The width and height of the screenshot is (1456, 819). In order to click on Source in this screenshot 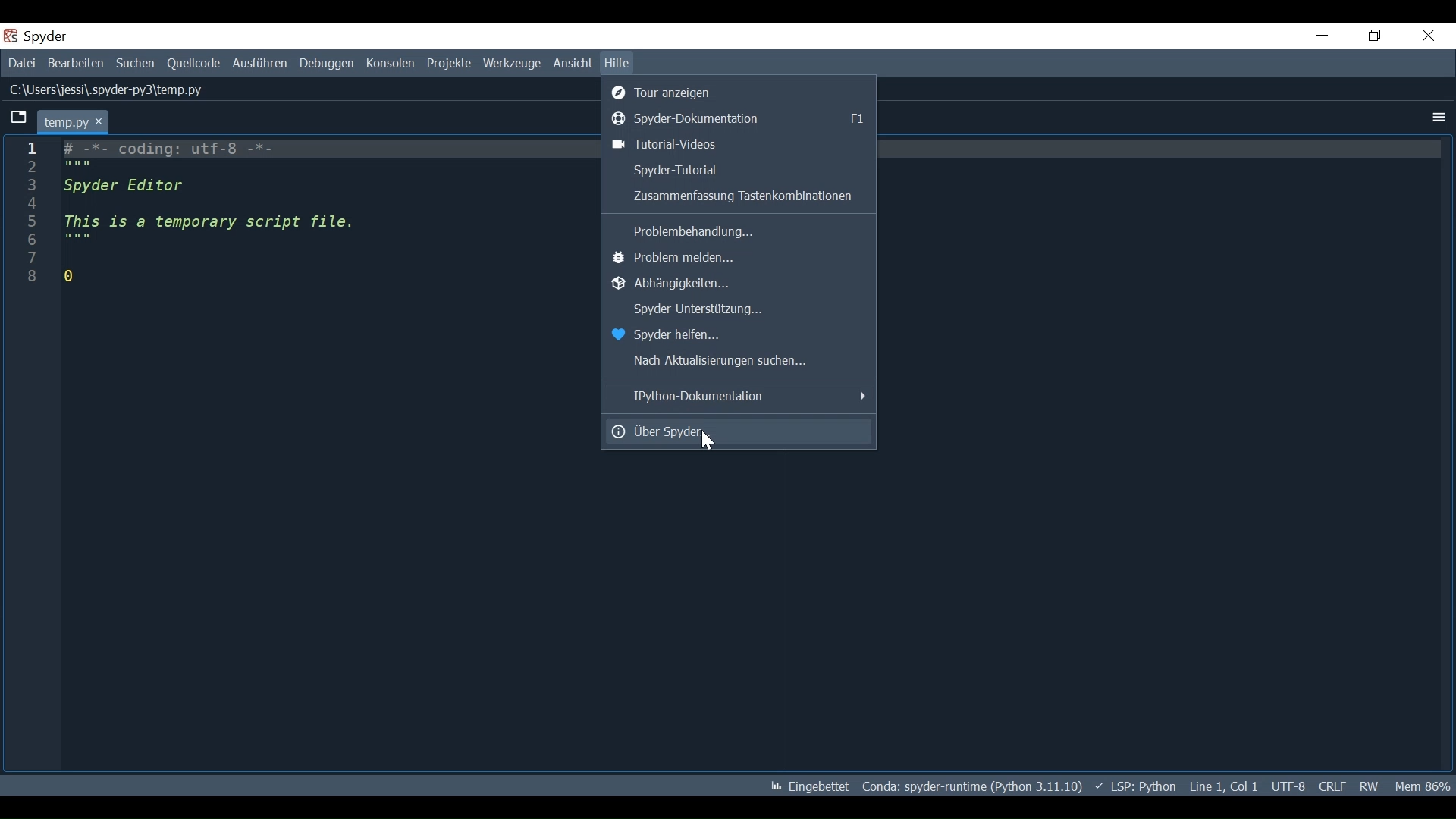, I will do `click(194, 64)`.